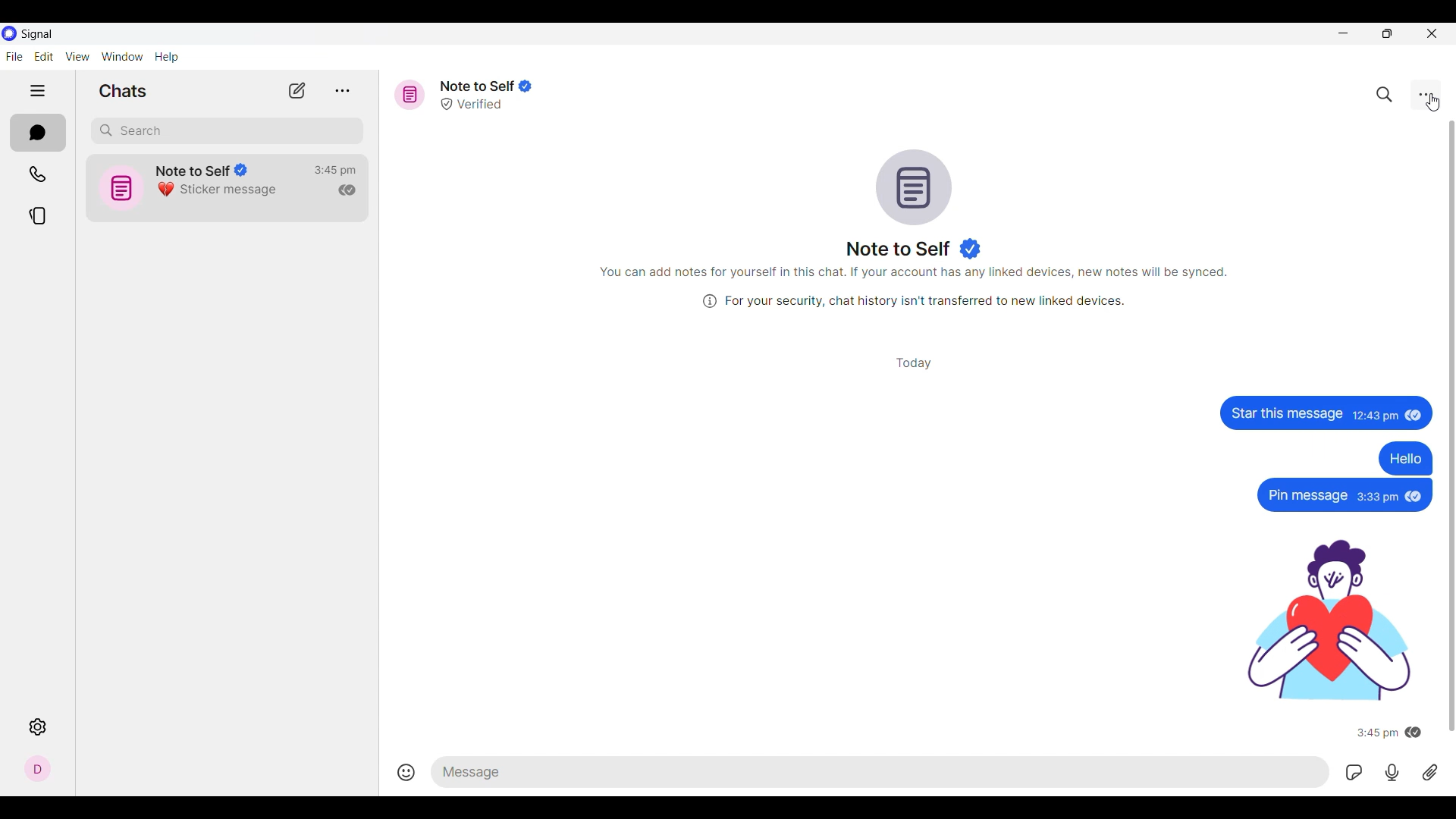 The height and width of the screenshot is (819, 1456). Describe the element at coordinates (39, 133) in the screenshot. I see `Chats, current section highlighted` at that location.